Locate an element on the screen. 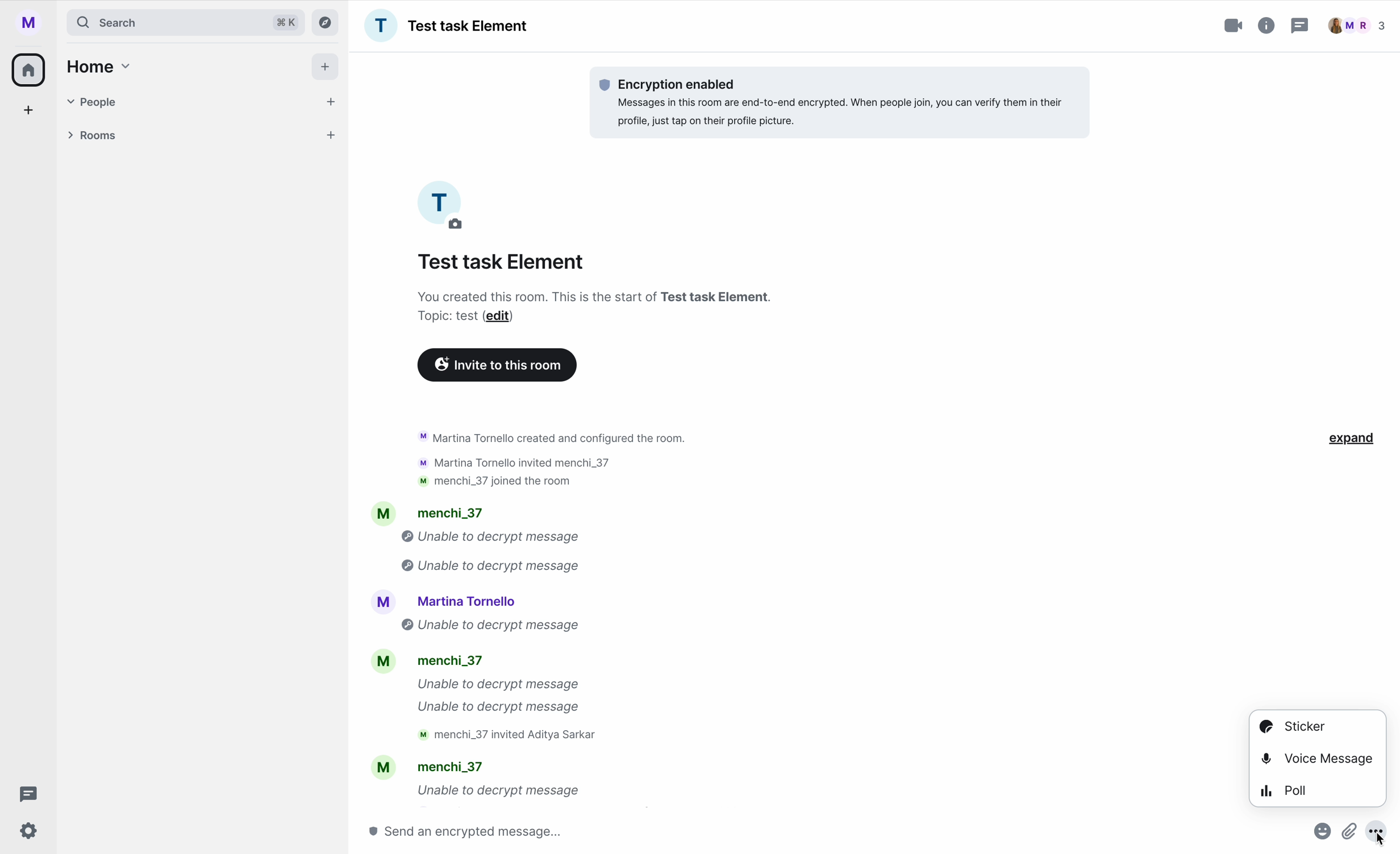 The width and height of the screenshot is (1400, 854). send a message is located at coordinates (489, 831).